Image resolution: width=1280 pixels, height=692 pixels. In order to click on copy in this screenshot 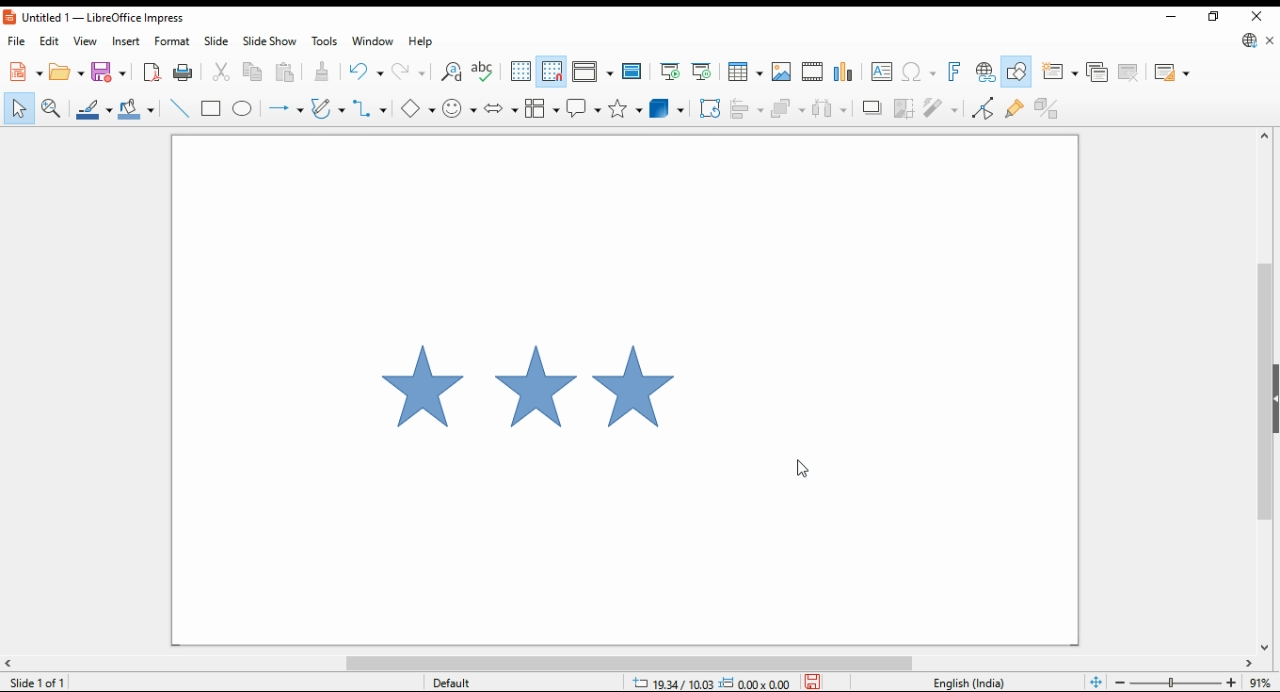, I will do `click(257, 72)`.